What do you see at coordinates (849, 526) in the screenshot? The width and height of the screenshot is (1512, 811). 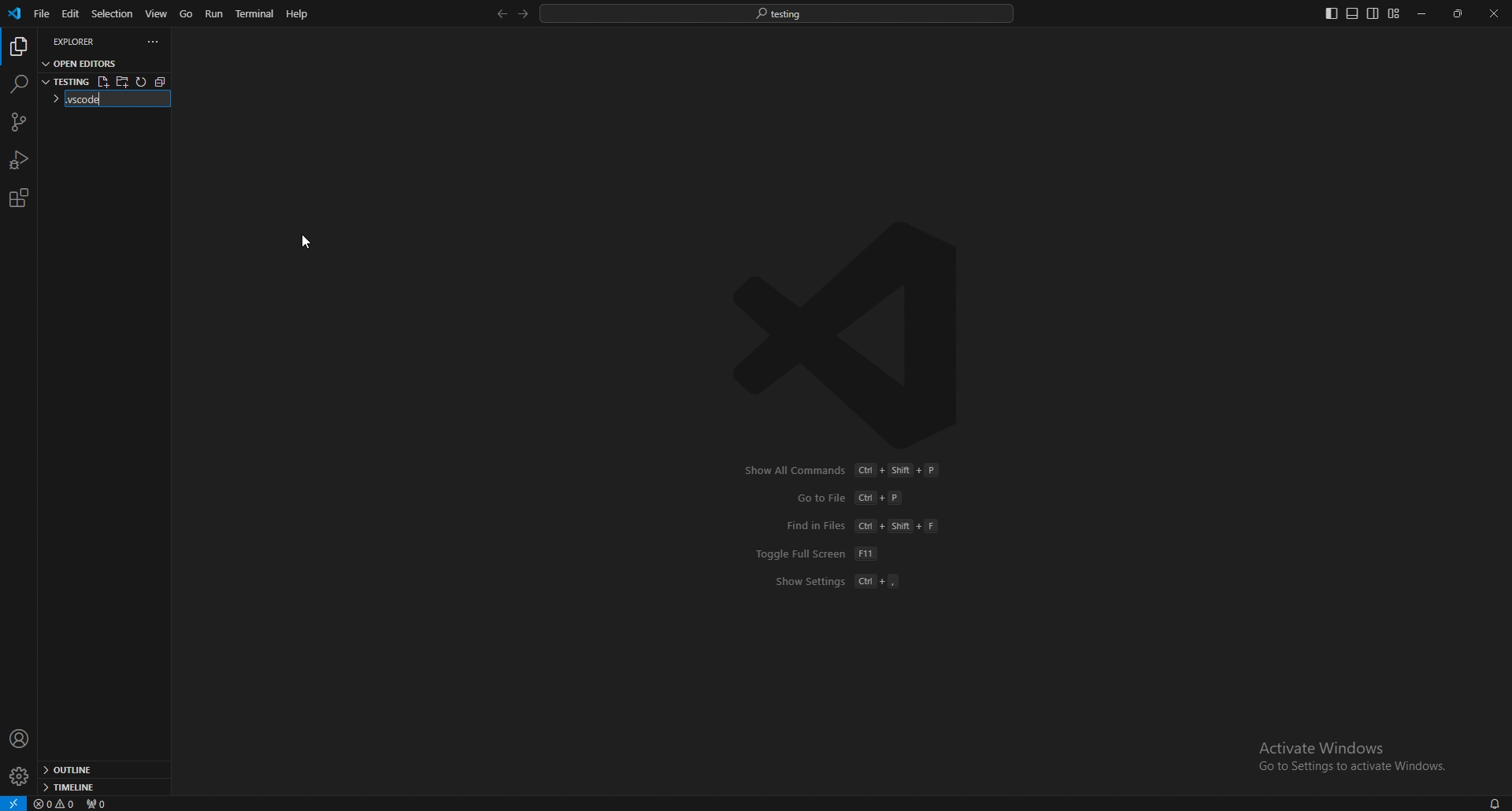 I see `shortcuts` at bounding box center [849, 526].